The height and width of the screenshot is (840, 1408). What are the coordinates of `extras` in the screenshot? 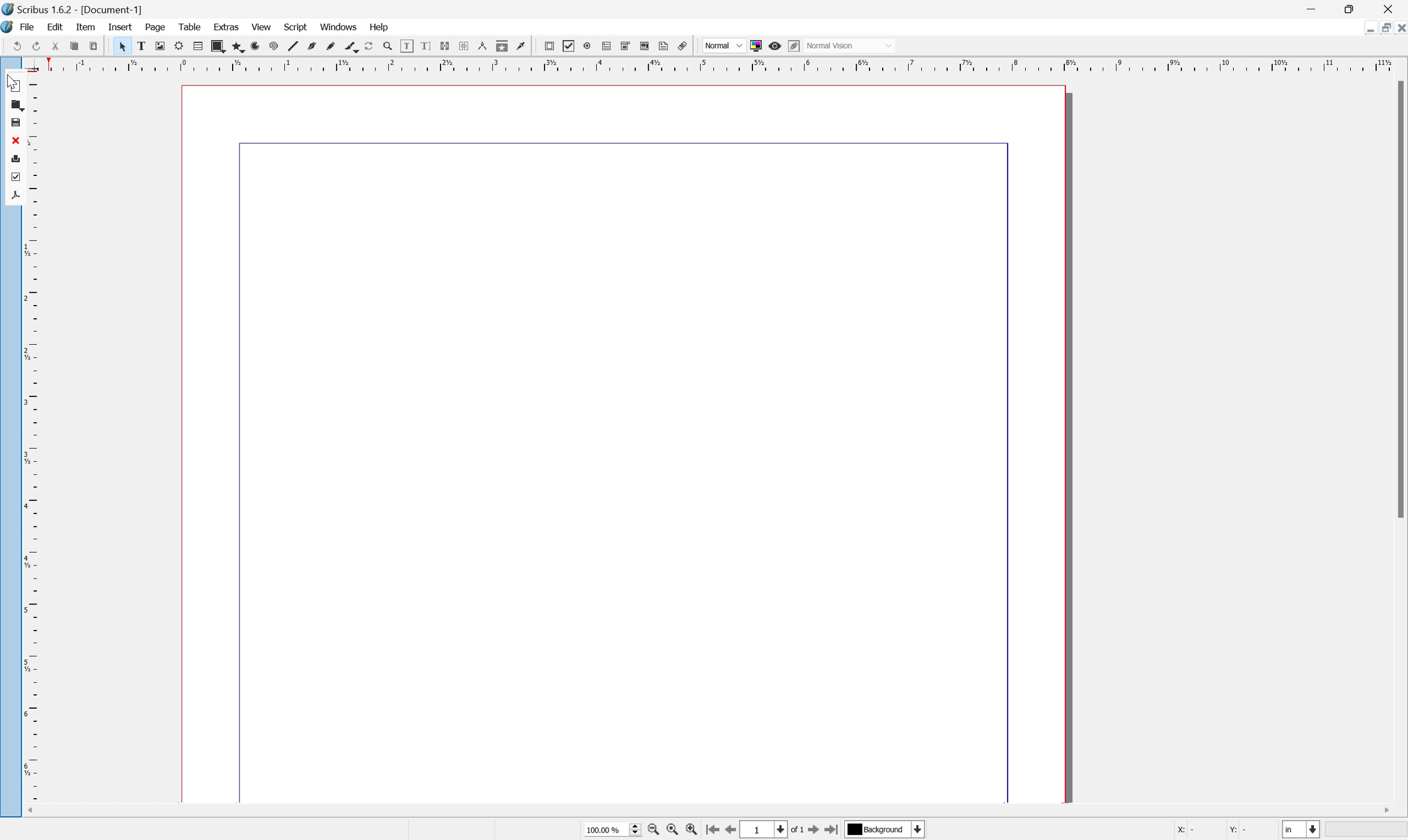 It's located at (226, 27).